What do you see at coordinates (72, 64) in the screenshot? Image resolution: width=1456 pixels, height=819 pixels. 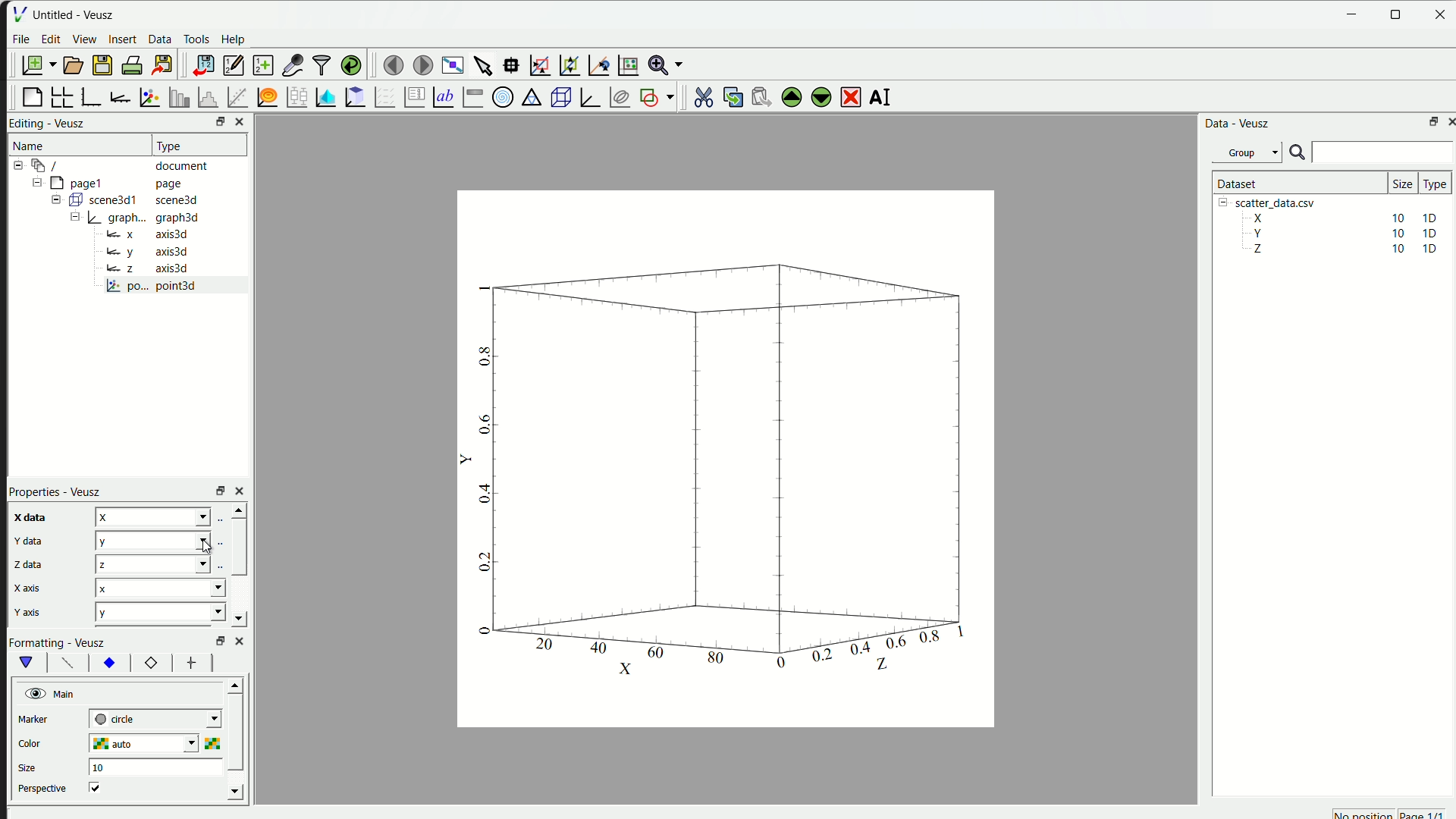 I see `open a document` at bounding box center [72, 64].